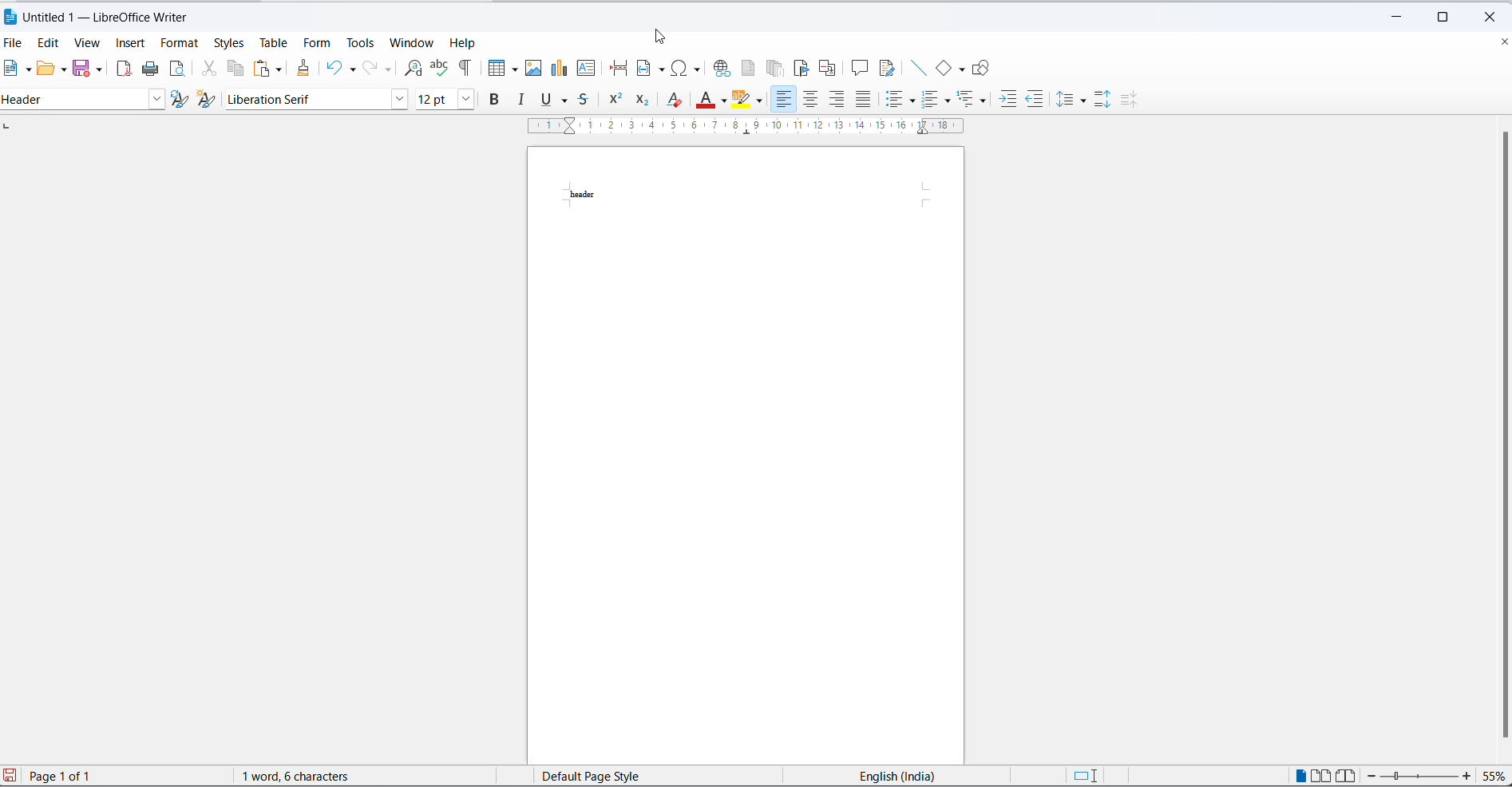  What do you see at coordinates (1393, 18) in the screenshot?
I see `minimize` at bounding box center [1393, 18].